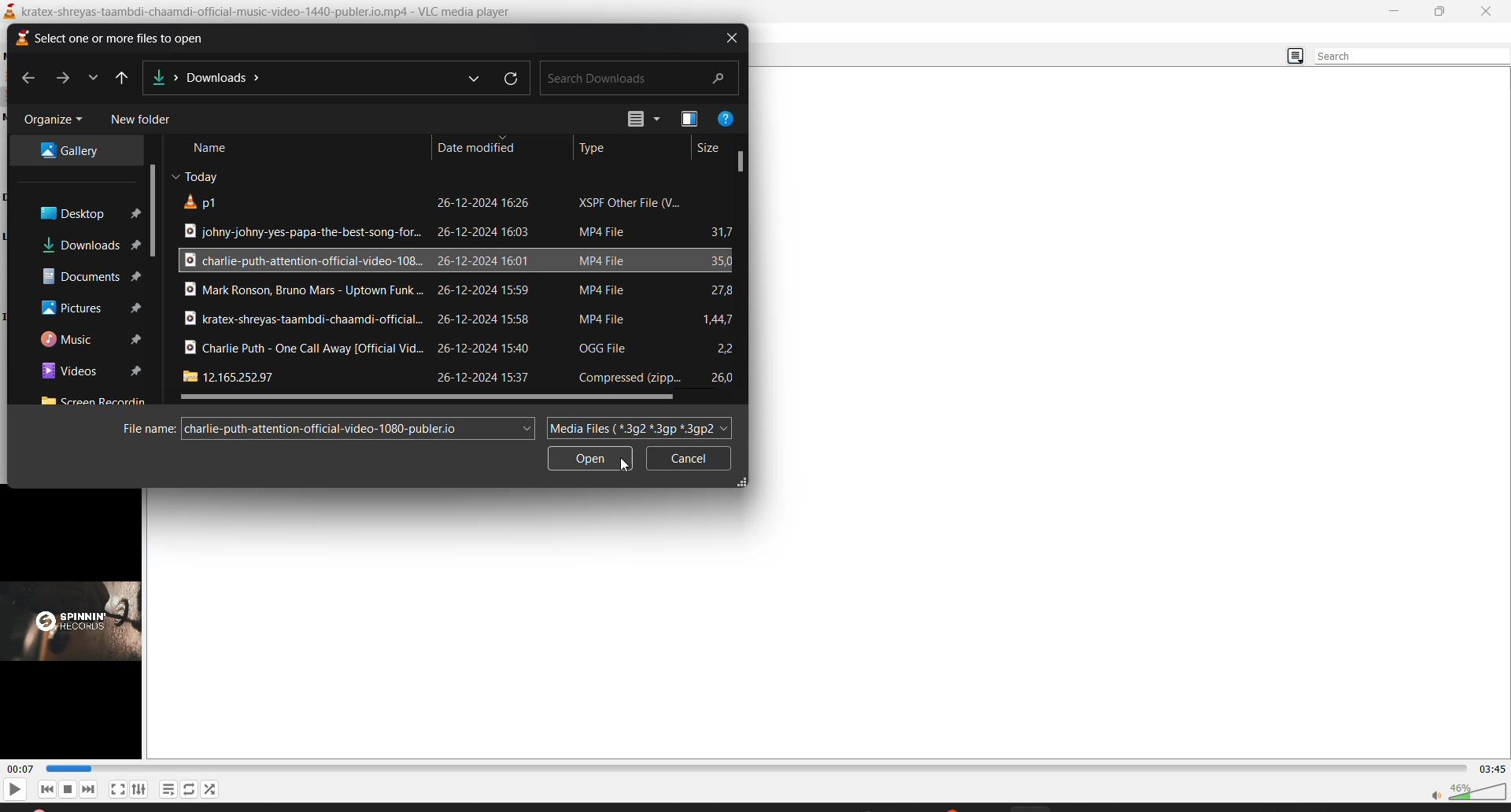  Describe the element at coordinates (1398, 14) in the screenshot. I see `minimize` at that location.